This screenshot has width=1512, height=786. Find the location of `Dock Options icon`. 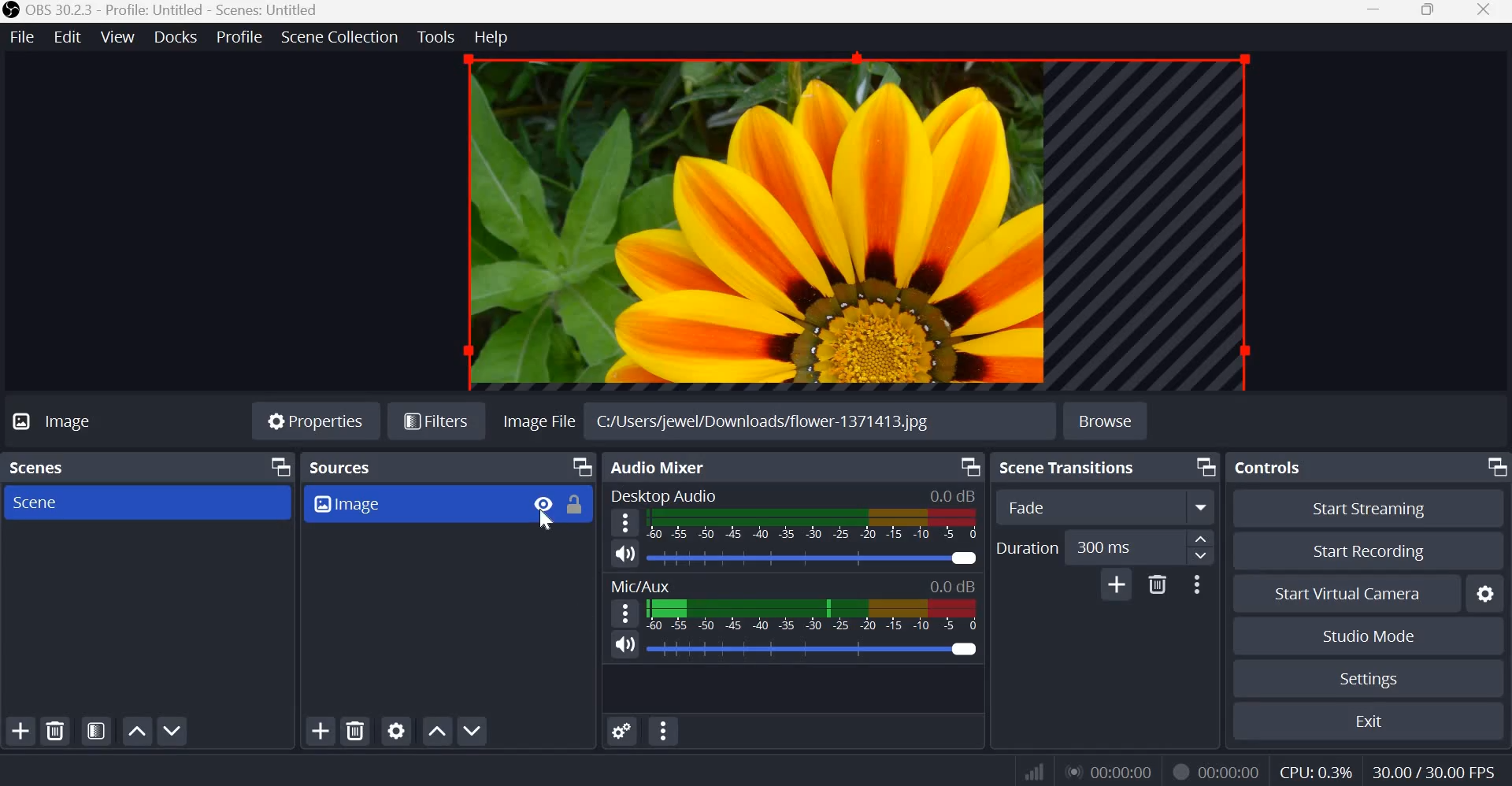

Dock Options icon is located at coordinates (970, 468).